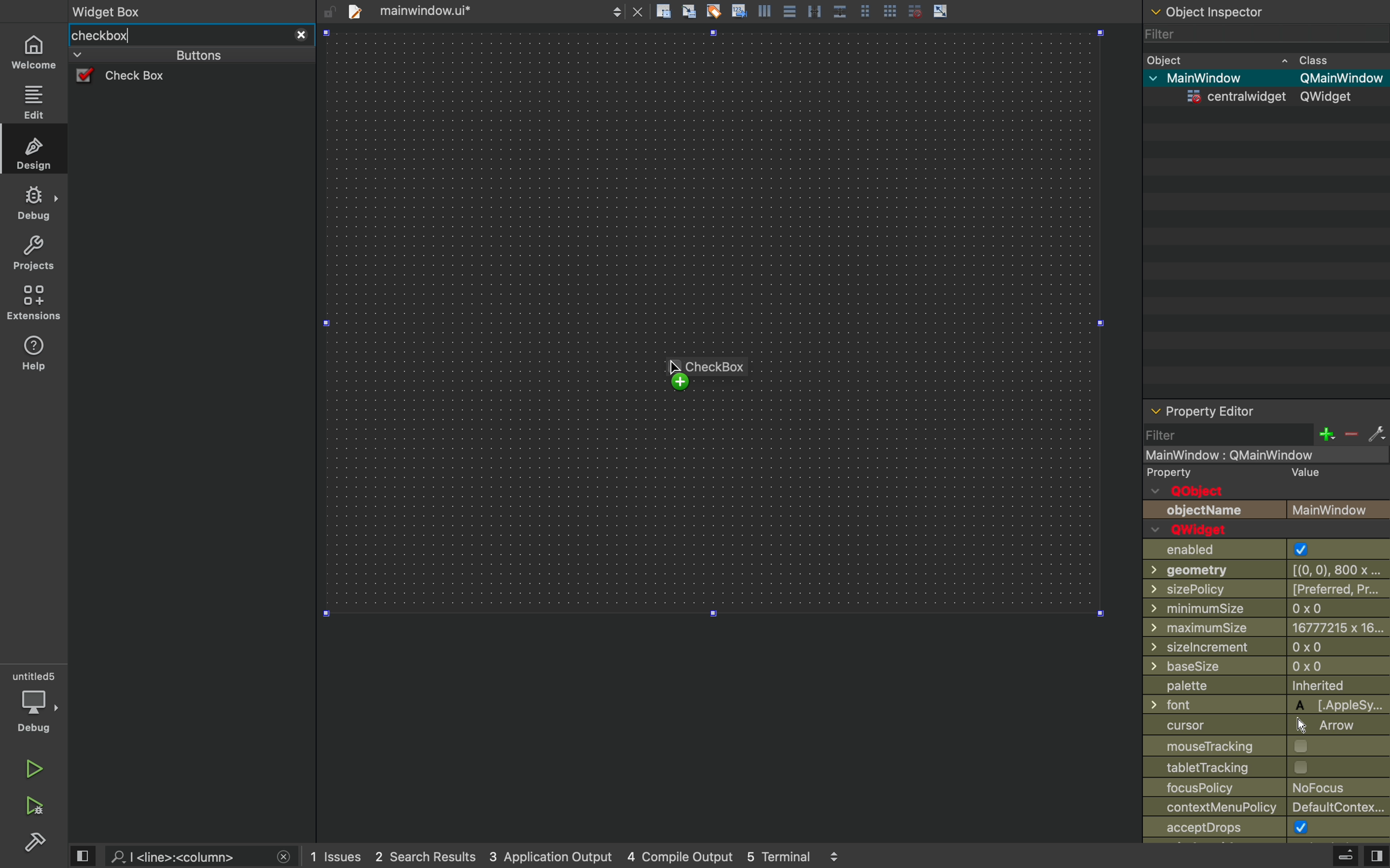 The image size is (1390, 868). I want to click on mainwindow, so click(1266, 78).